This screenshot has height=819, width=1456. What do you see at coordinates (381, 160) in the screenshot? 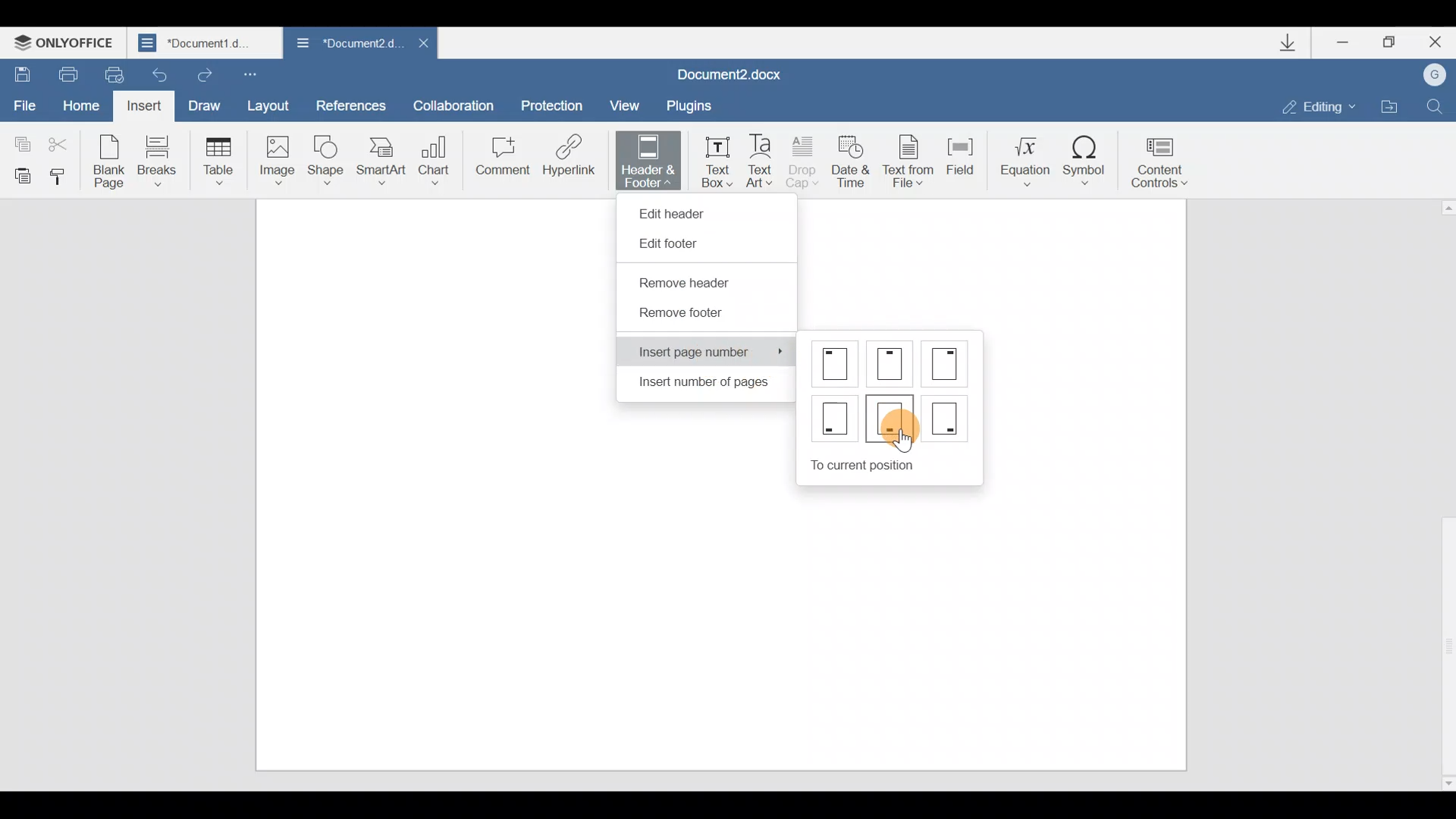
I see `SmartArt` at bounding box center [381, 160].